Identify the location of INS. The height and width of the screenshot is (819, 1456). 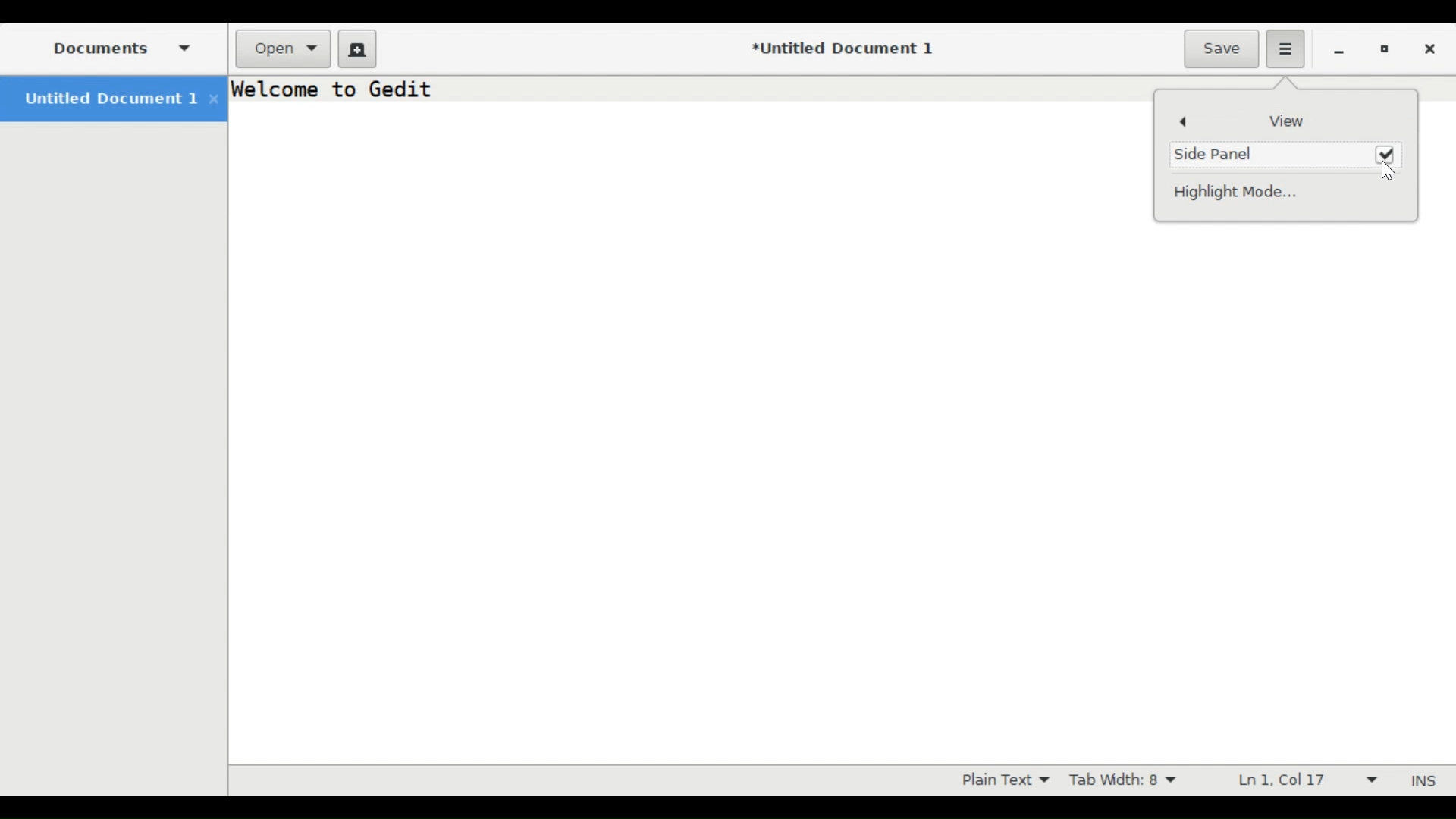
(1420, 780).